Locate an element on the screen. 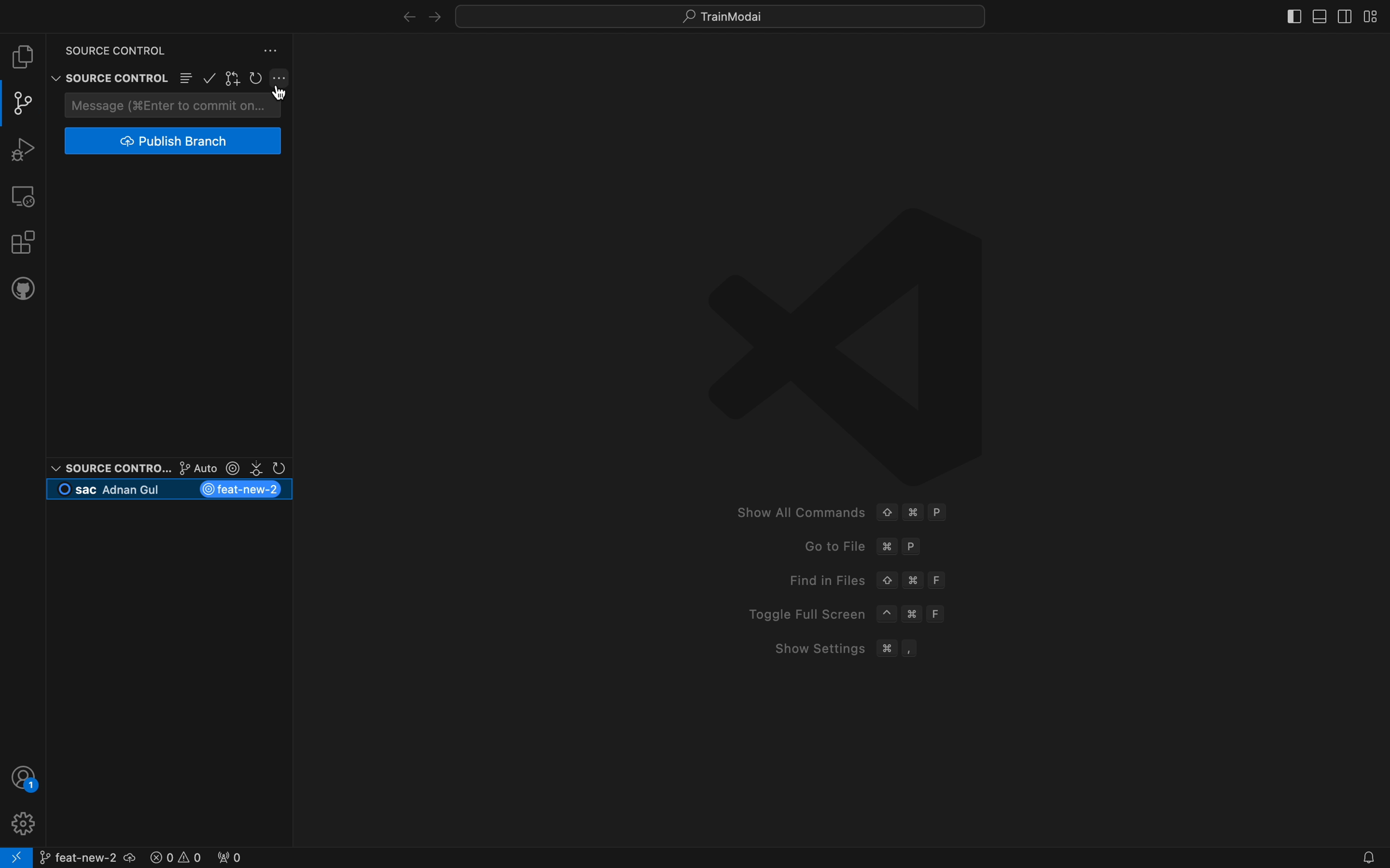  git lens options is located at coordinates (229, 468).